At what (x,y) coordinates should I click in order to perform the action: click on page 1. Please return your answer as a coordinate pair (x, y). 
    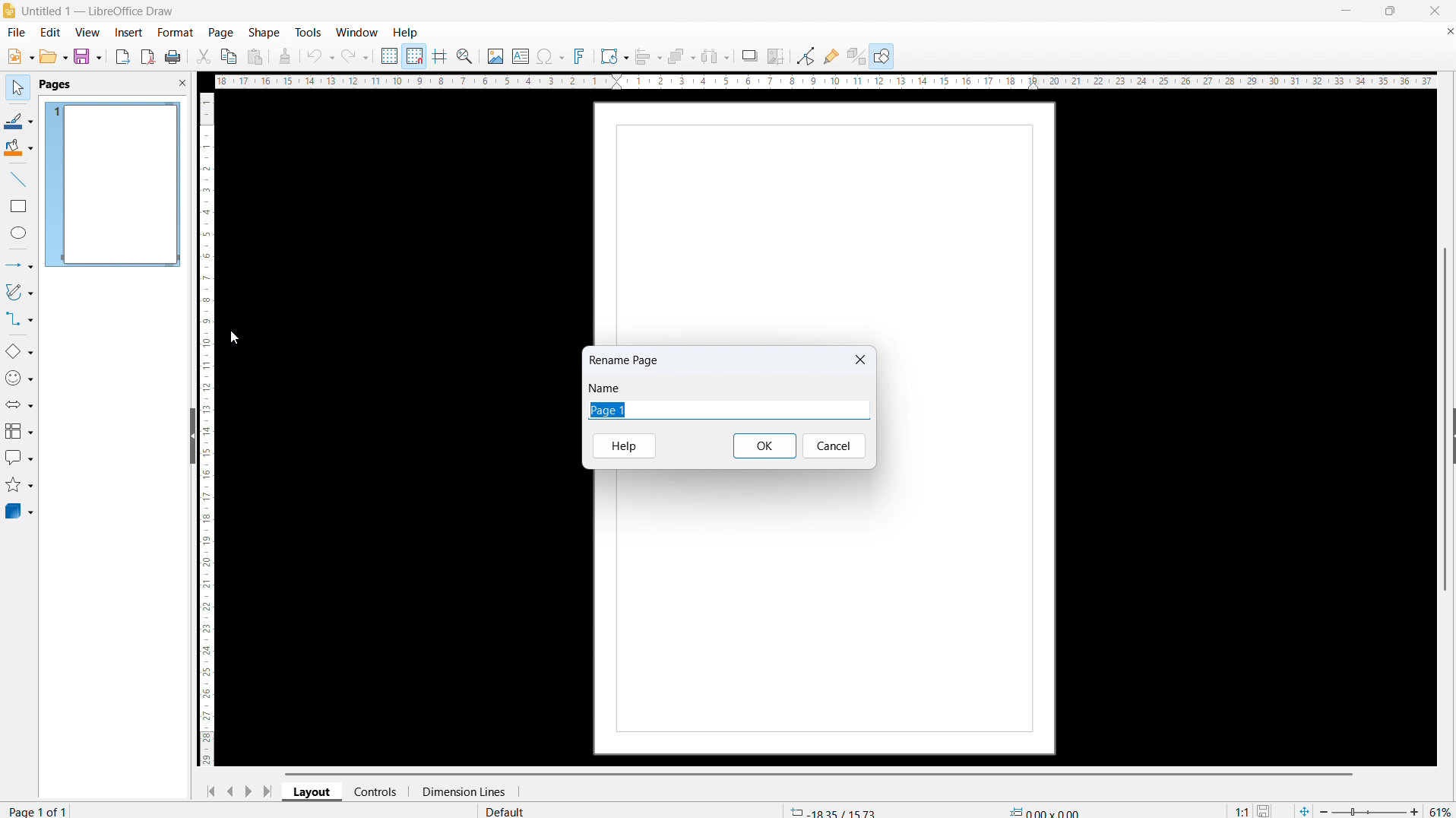
    Looking at the image, I should click on (115, 185).